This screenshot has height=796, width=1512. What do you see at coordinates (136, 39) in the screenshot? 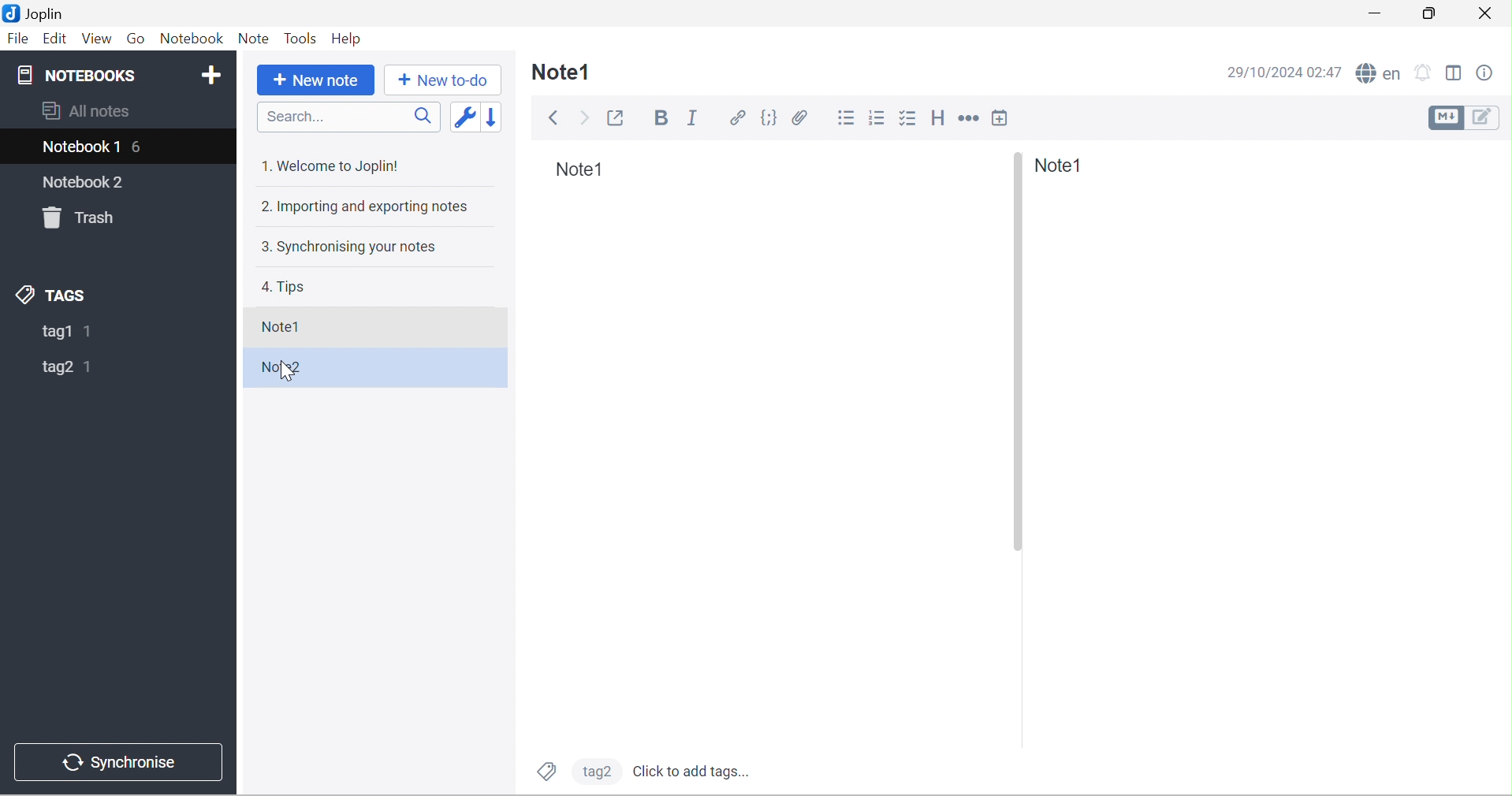
I see `Go` at bounding box center [136, 39].